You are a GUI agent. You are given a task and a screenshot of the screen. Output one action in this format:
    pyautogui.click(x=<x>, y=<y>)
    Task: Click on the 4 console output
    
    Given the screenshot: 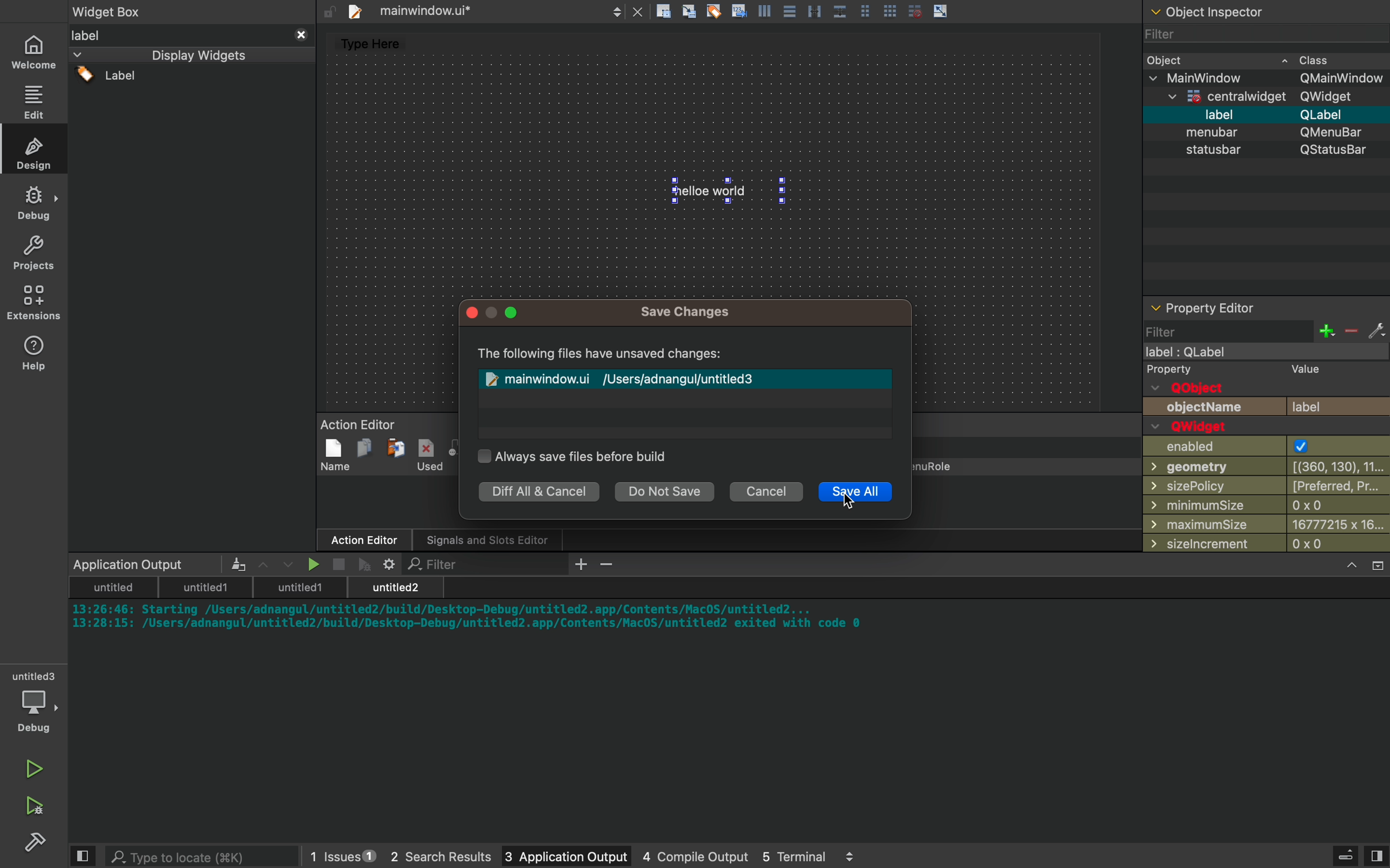 What is the action you would take?
    pyautogui.click(x=682, y=857)
    